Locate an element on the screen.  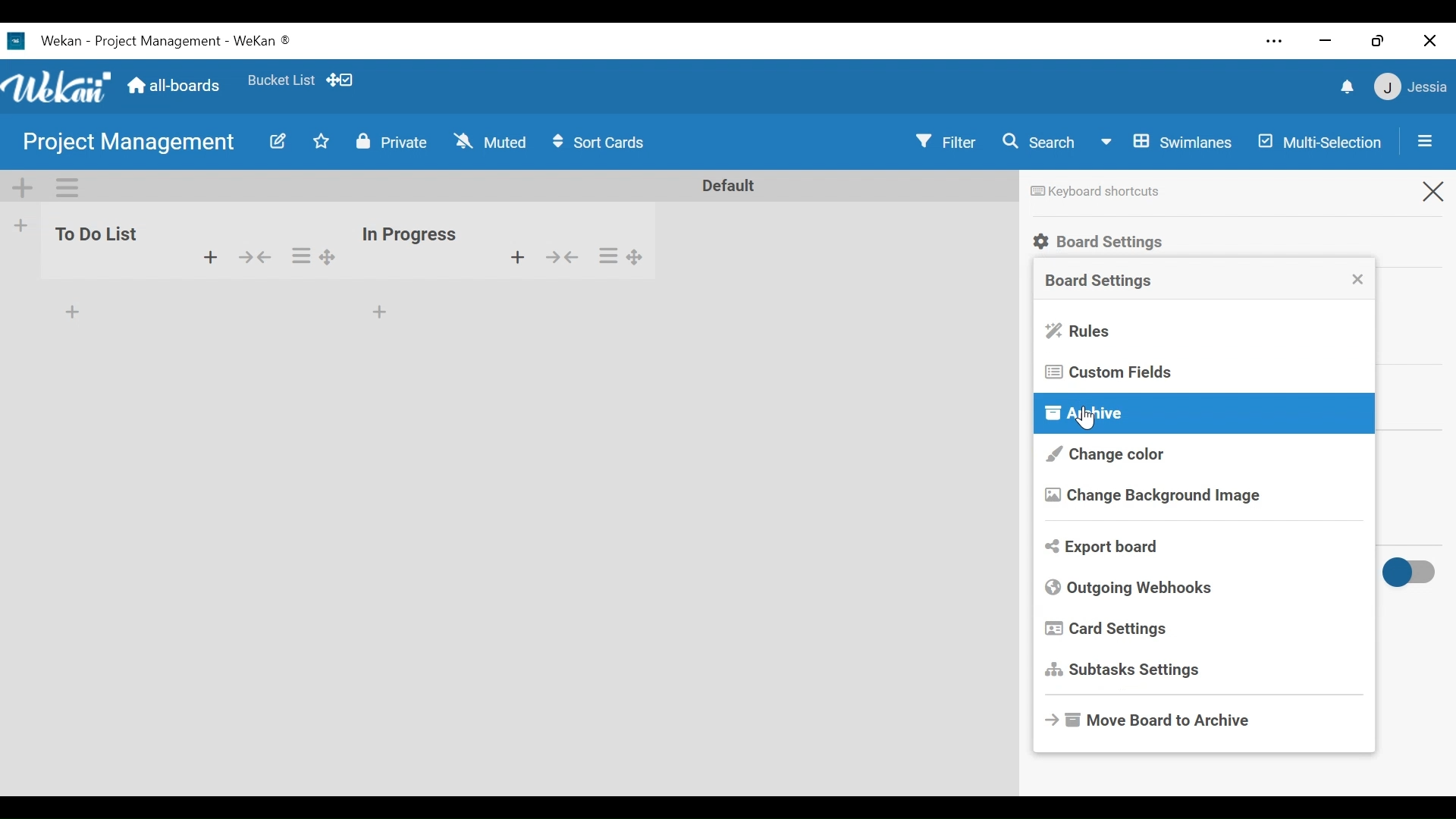
Board Settings is located at coordinates (1100, 243).